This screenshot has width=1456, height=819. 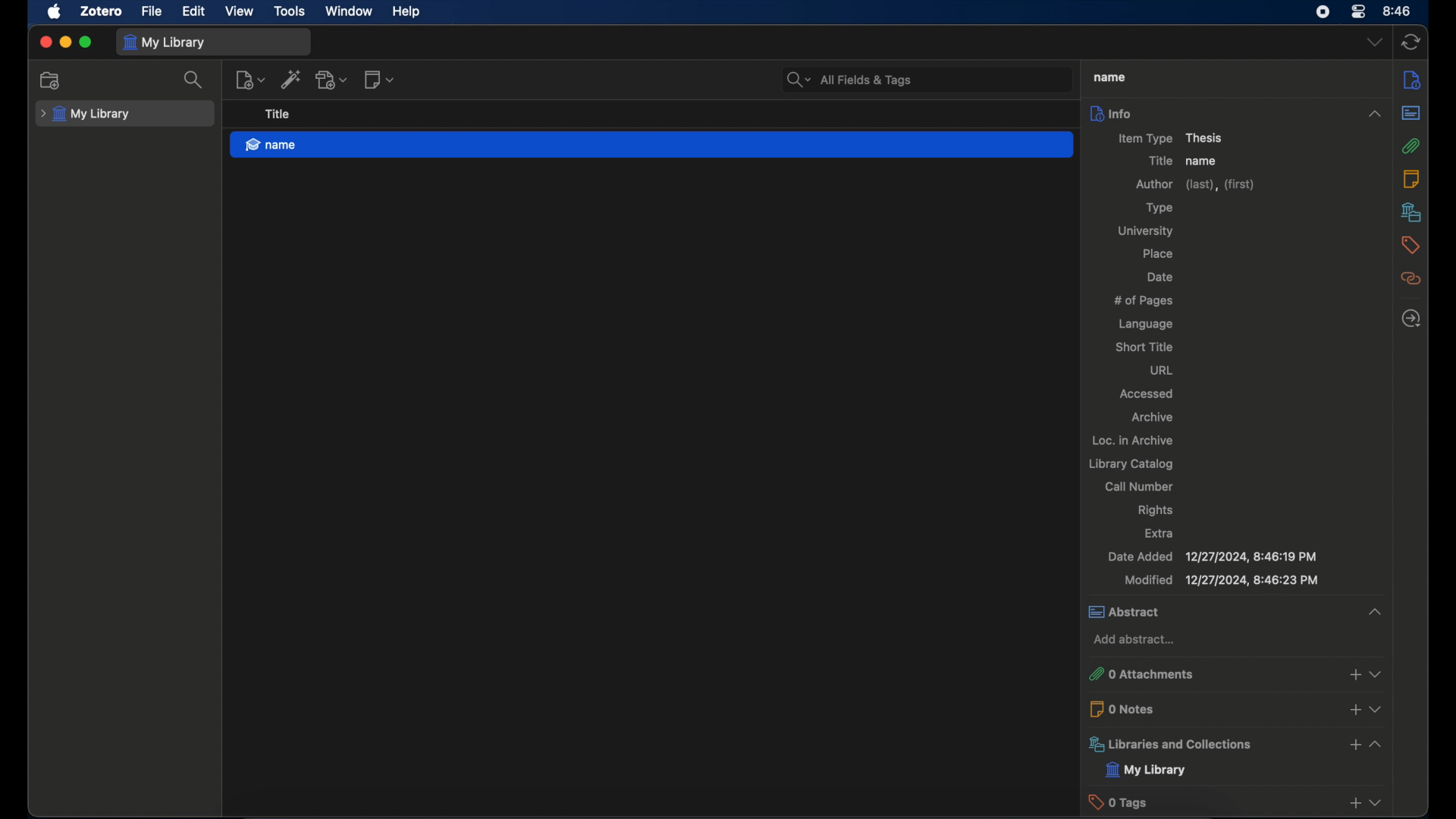 What do you see at coordinates (1209, 612) in the screenshot?
I see `abstract` at bounding box center [1209, 612].